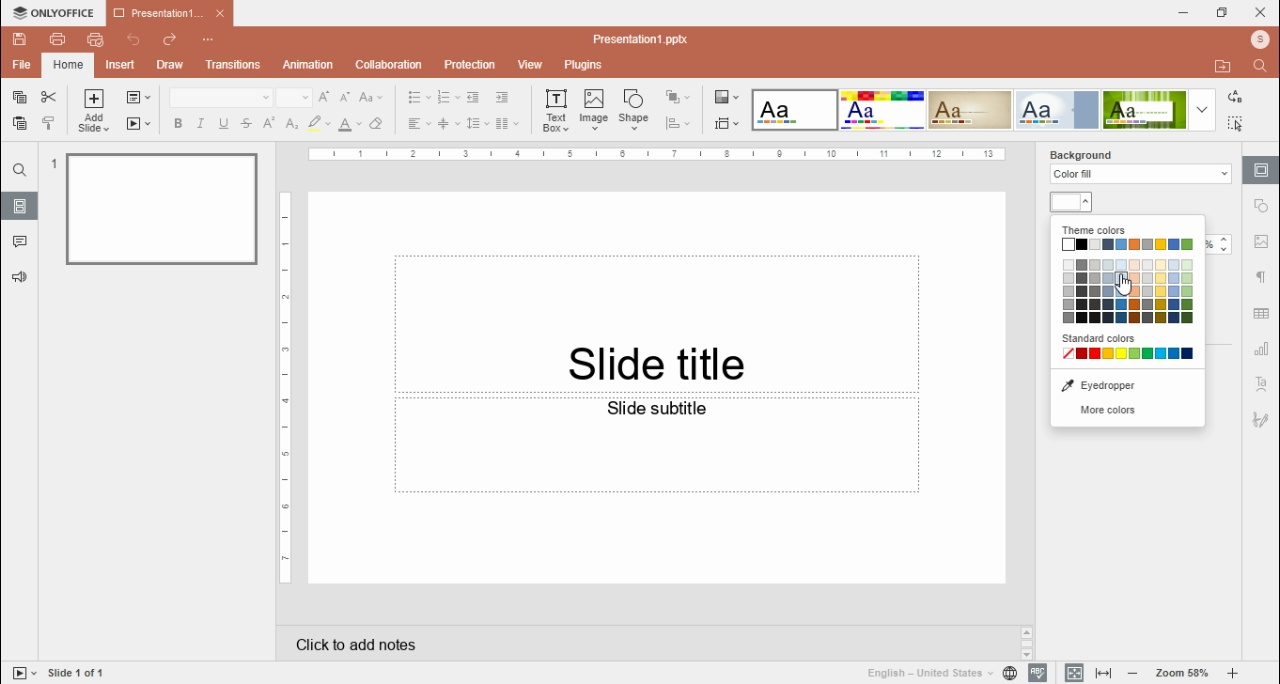 The height and width of the screenshot is (684, 1280). Describe the element at coordinates (20, 38) in the screenshot. I see `save` at that location.